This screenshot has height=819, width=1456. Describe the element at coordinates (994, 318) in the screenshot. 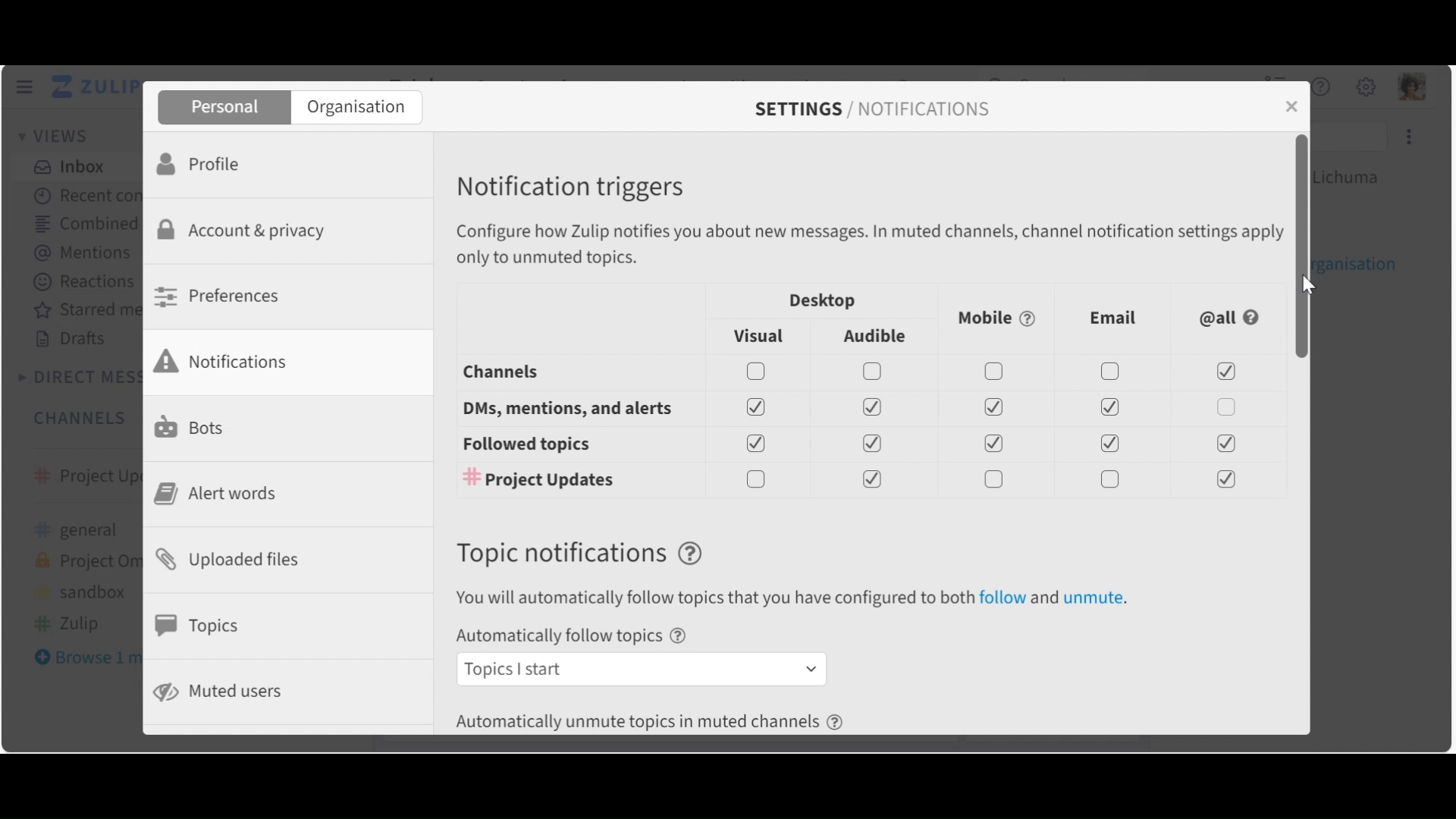

I see `Mobile` at that location.